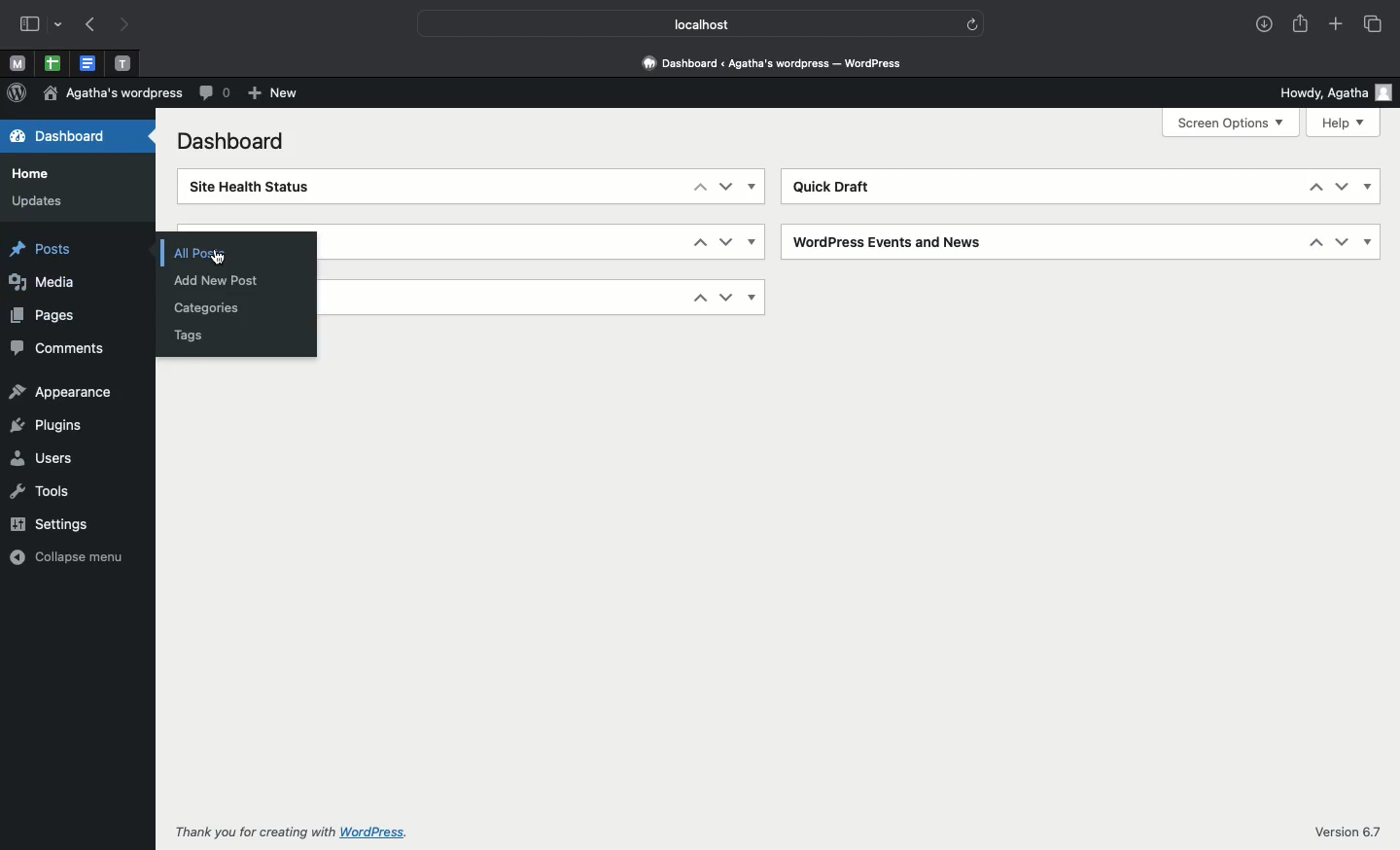  What do you see at coordinates (1367, 187) in the screenshot?
I see `Show` at bounding box center [1367, 187].